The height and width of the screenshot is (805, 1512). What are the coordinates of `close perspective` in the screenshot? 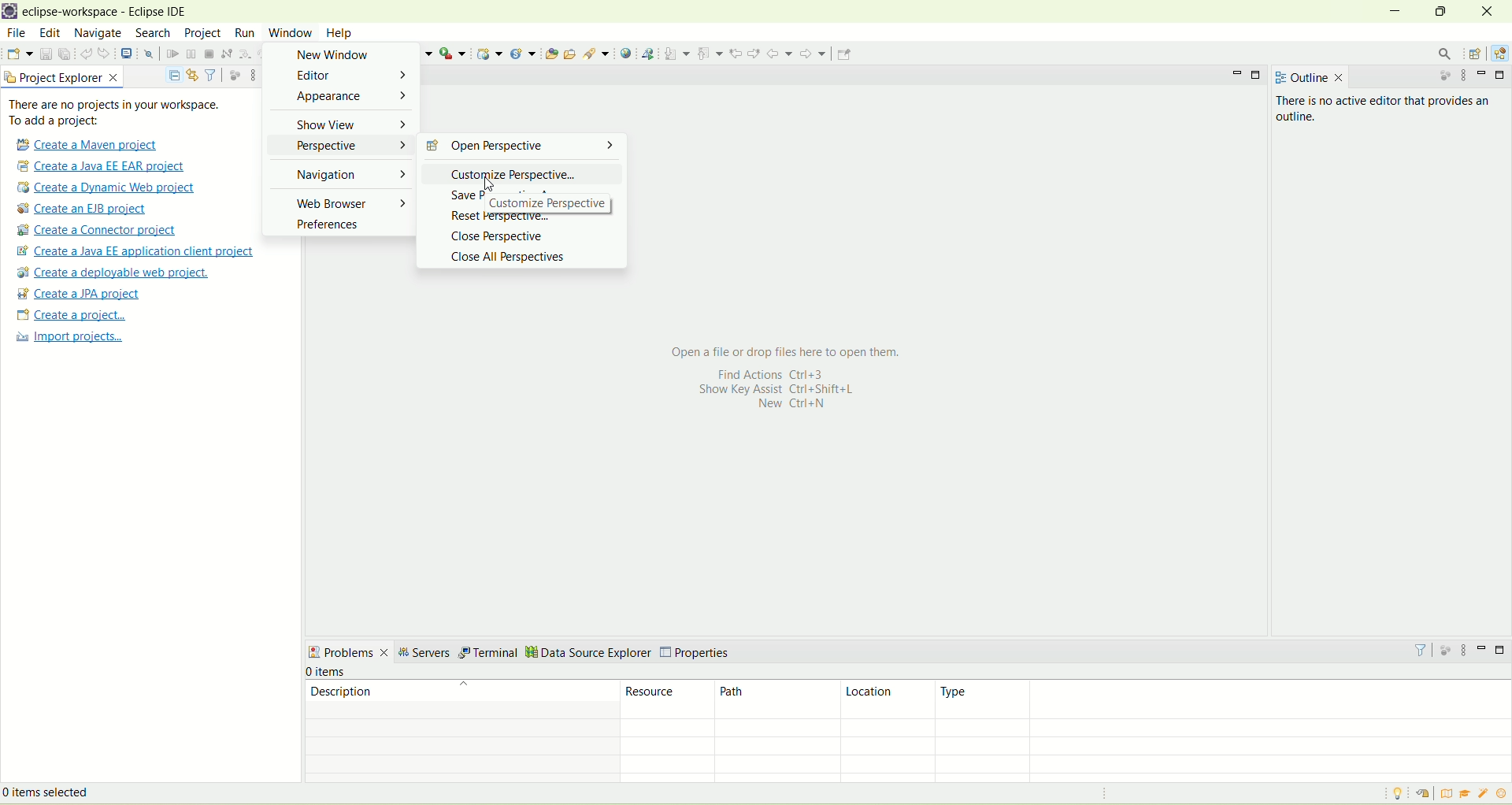 It's located at (500, 239).